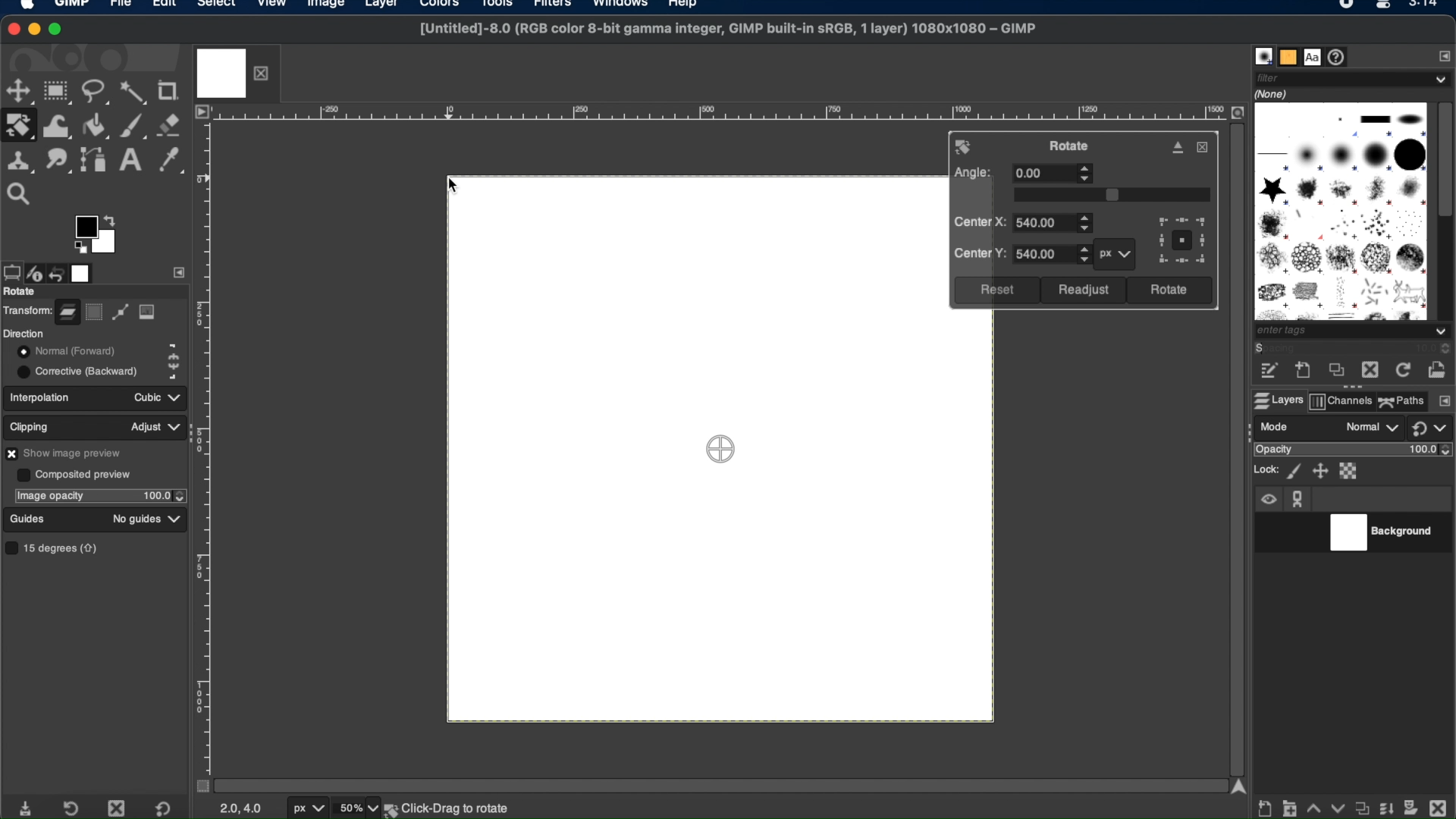  Describe the element at coordinates (965, 147) in the screenshot. I see `rotate` at that location.